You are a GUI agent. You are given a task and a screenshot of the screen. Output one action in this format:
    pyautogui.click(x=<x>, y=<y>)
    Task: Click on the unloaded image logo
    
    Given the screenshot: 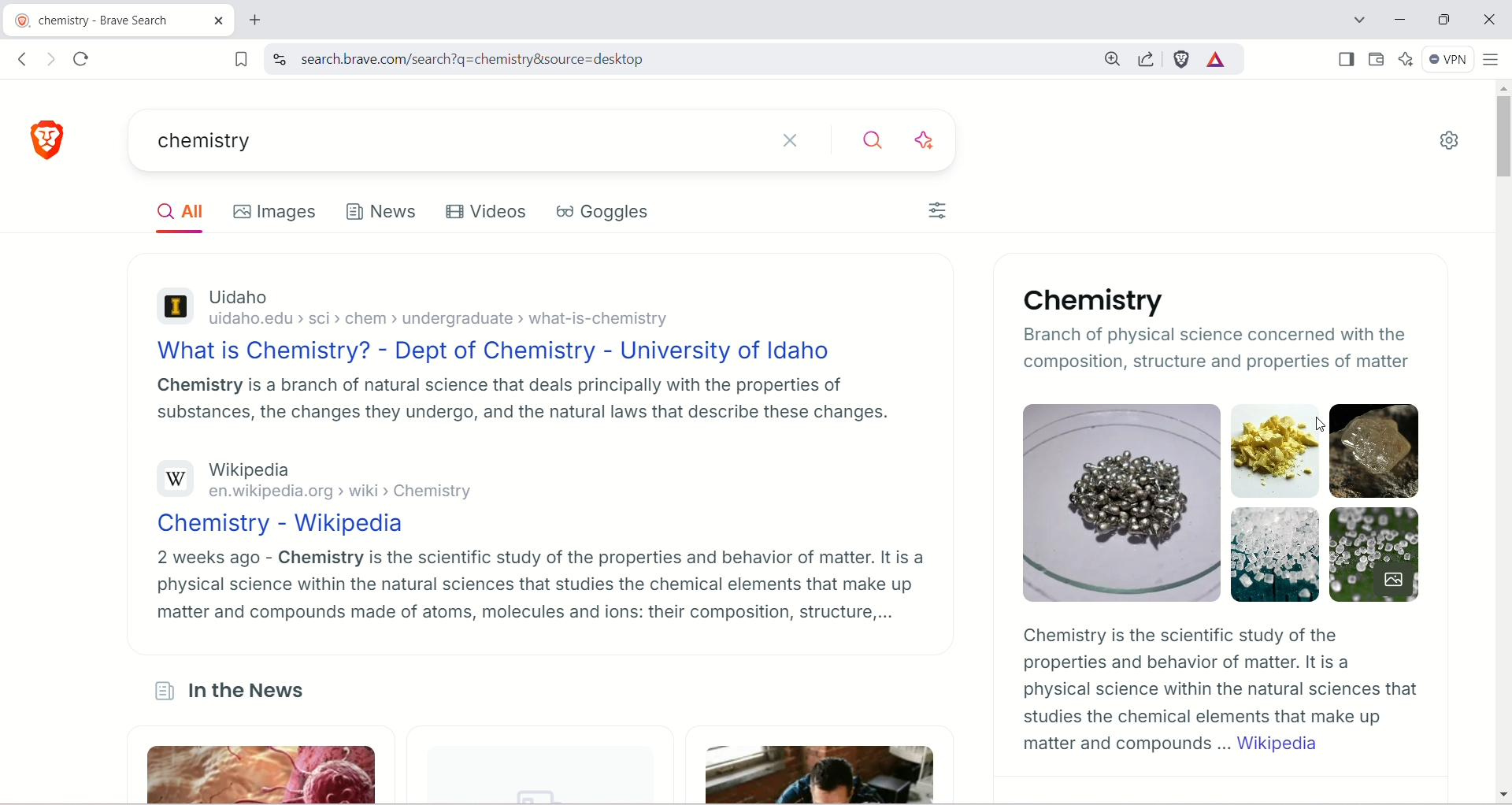 What is the action you would take?
    pyautogui.click(x=546, y=793)
    